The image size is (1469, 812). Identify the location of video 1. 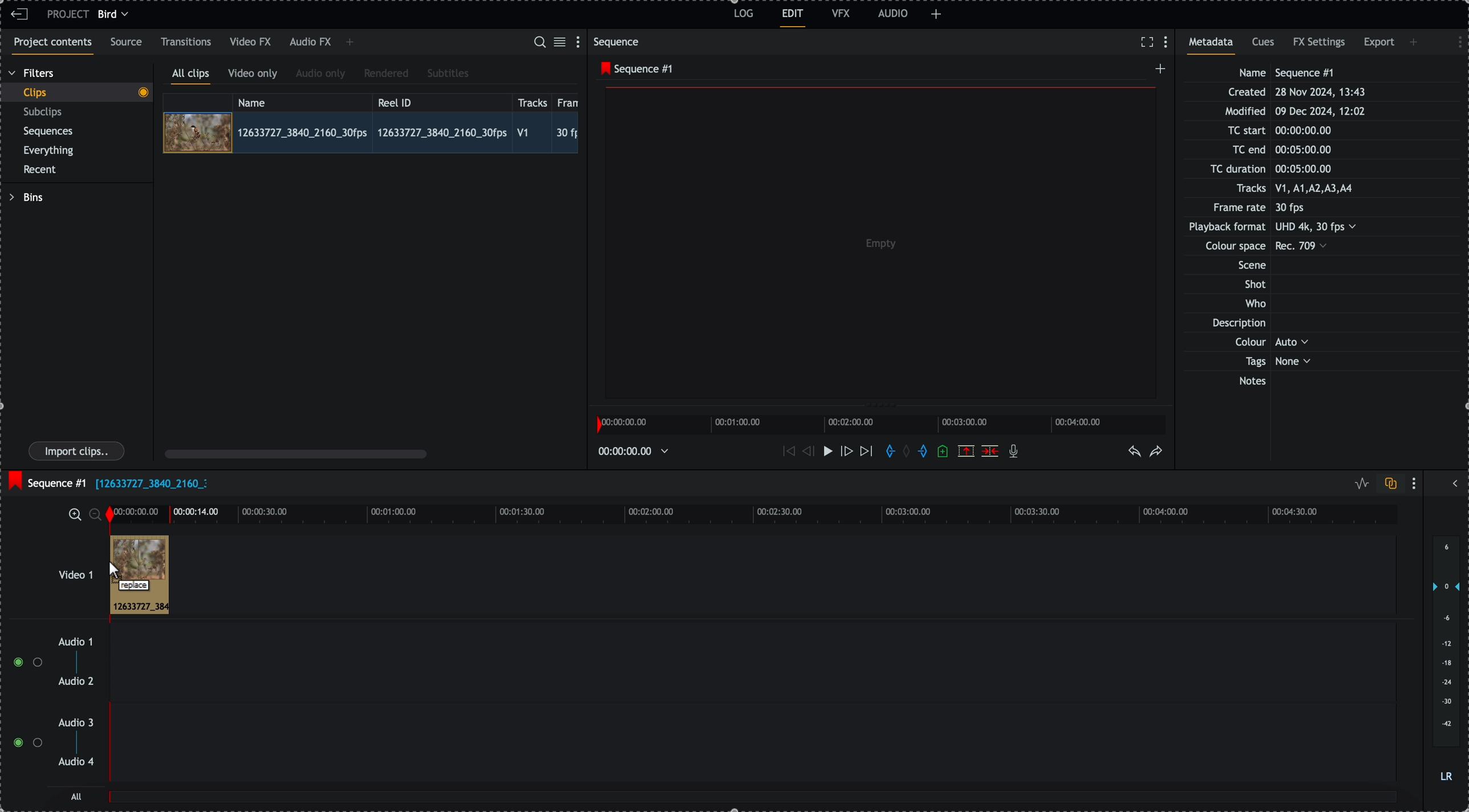
(60, 569).